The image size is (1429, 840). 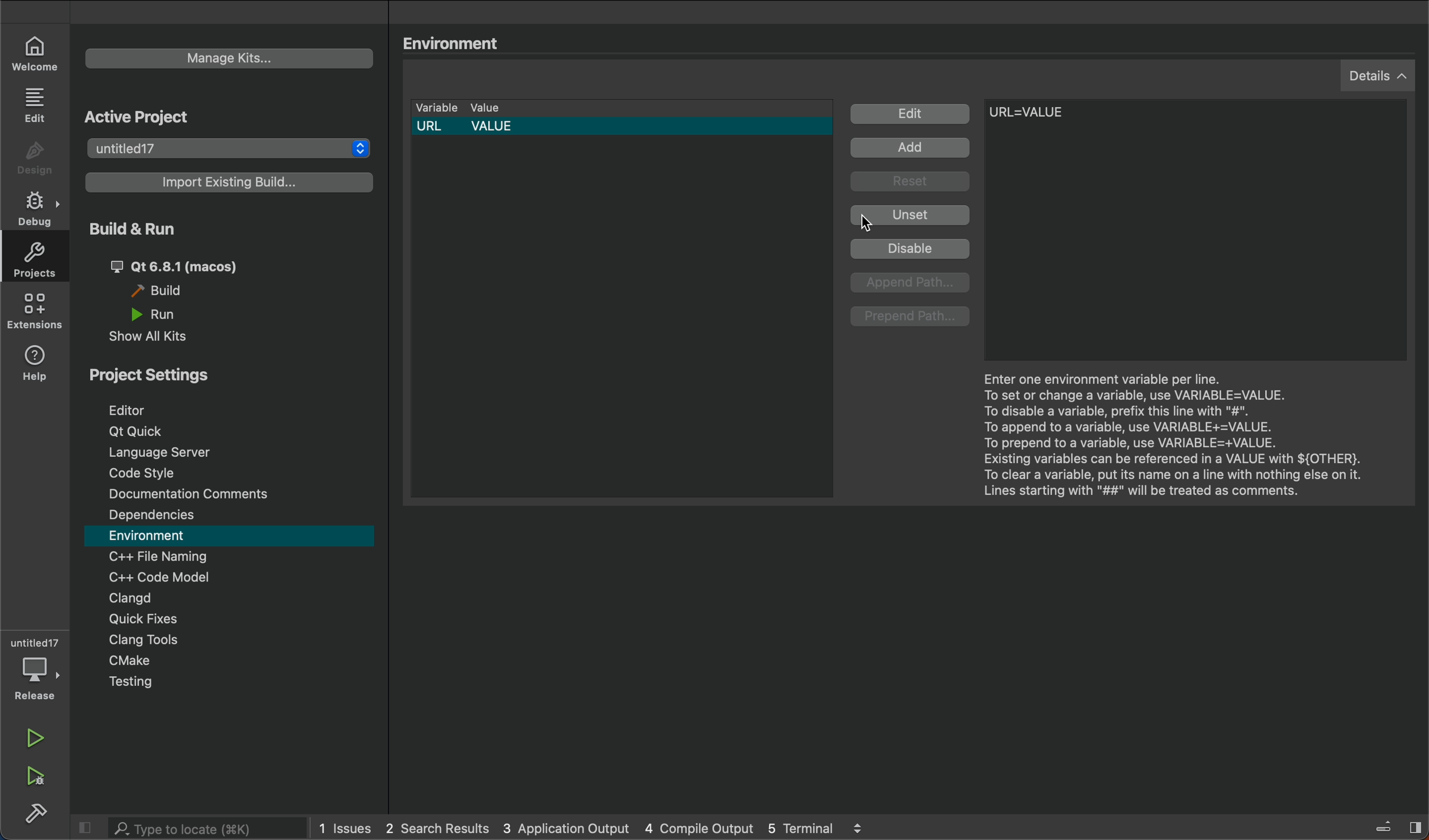 I want to click on build, so click(x=171, y=293).